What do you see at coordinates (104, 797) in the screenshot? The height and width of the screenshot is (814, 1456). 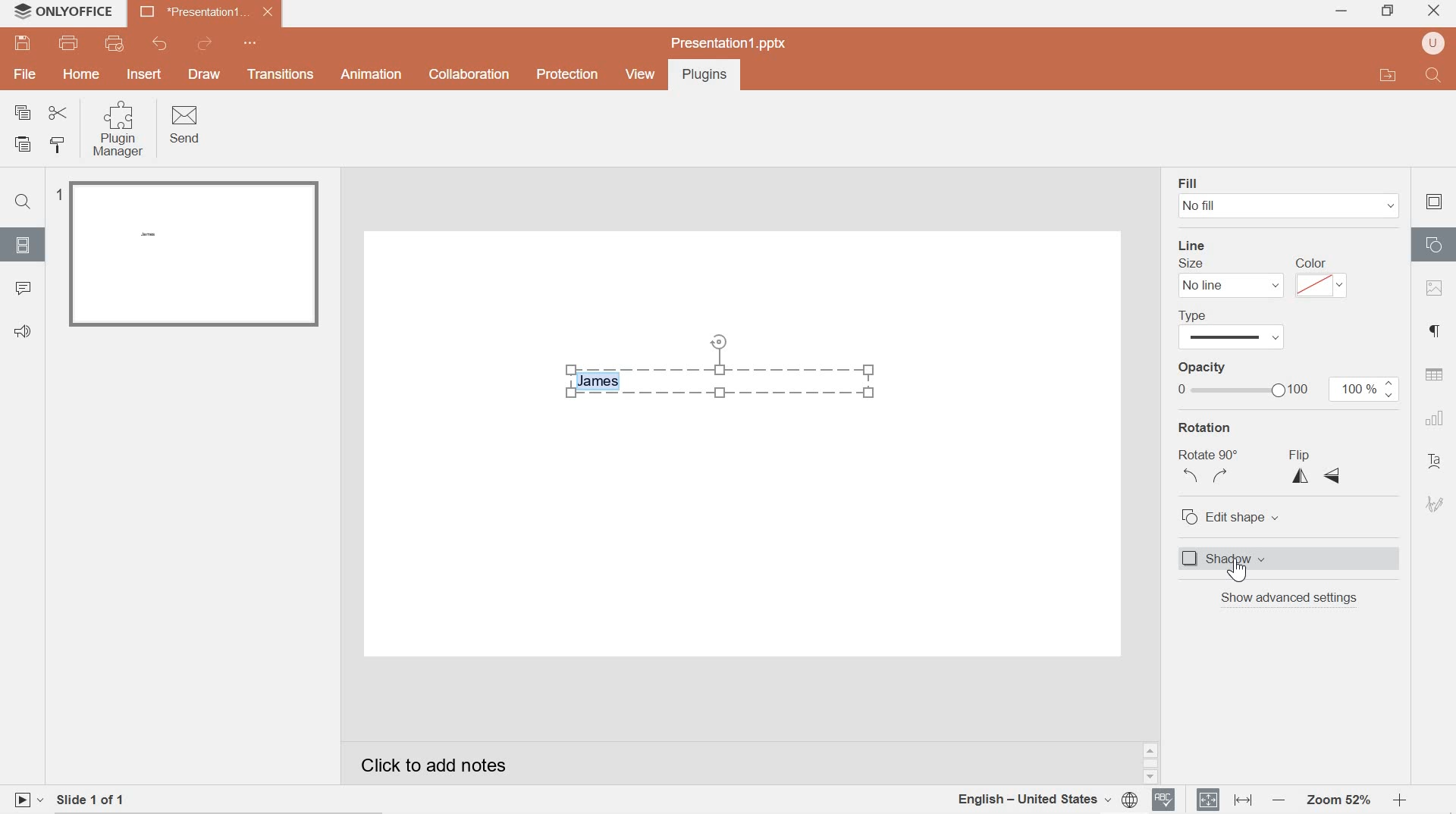 I see `slide 1 of 1` at bounding box center [104, 797].